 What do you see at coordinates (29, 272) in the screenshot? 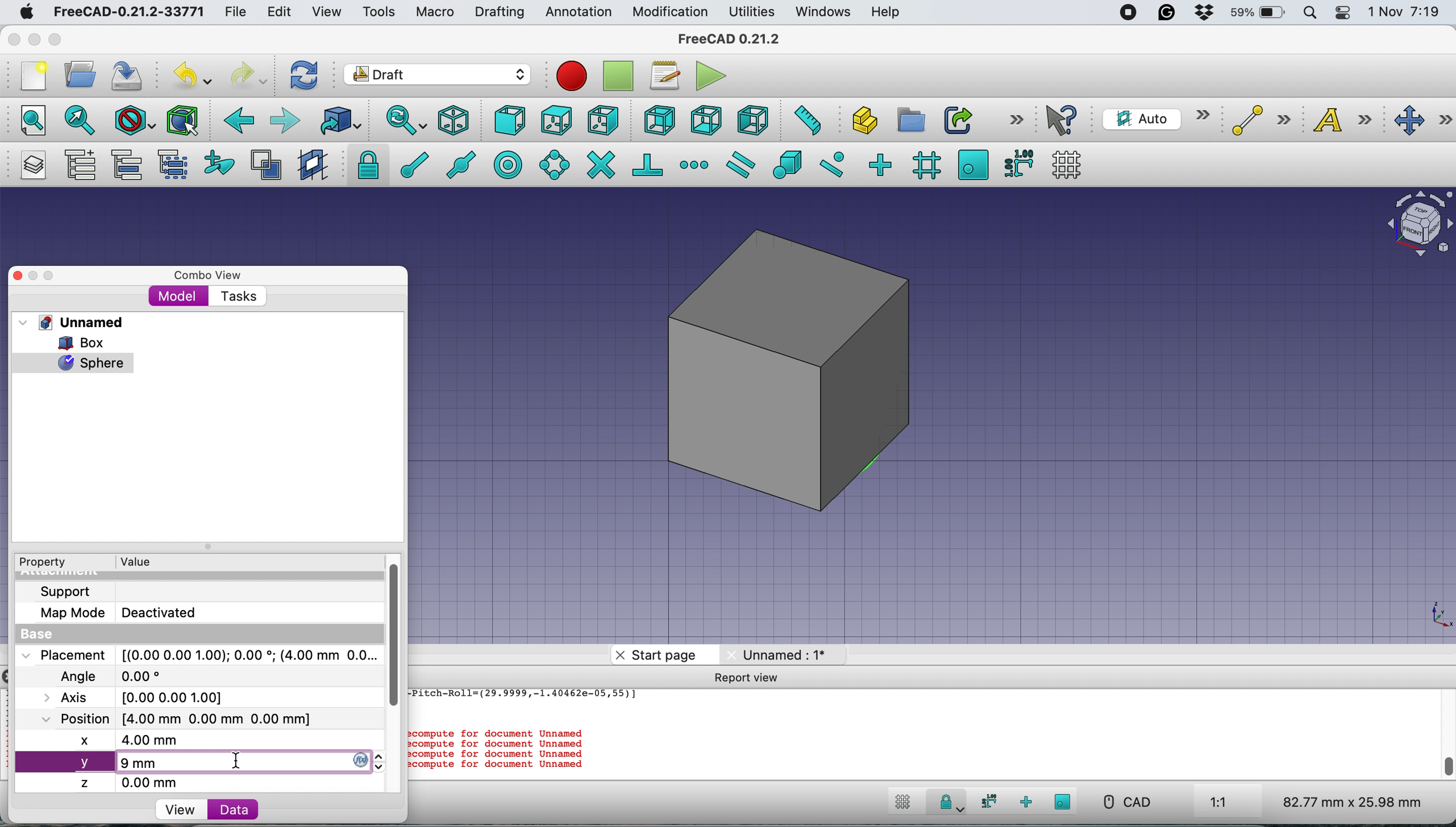
I see `close` at bounding box center [29, 272].